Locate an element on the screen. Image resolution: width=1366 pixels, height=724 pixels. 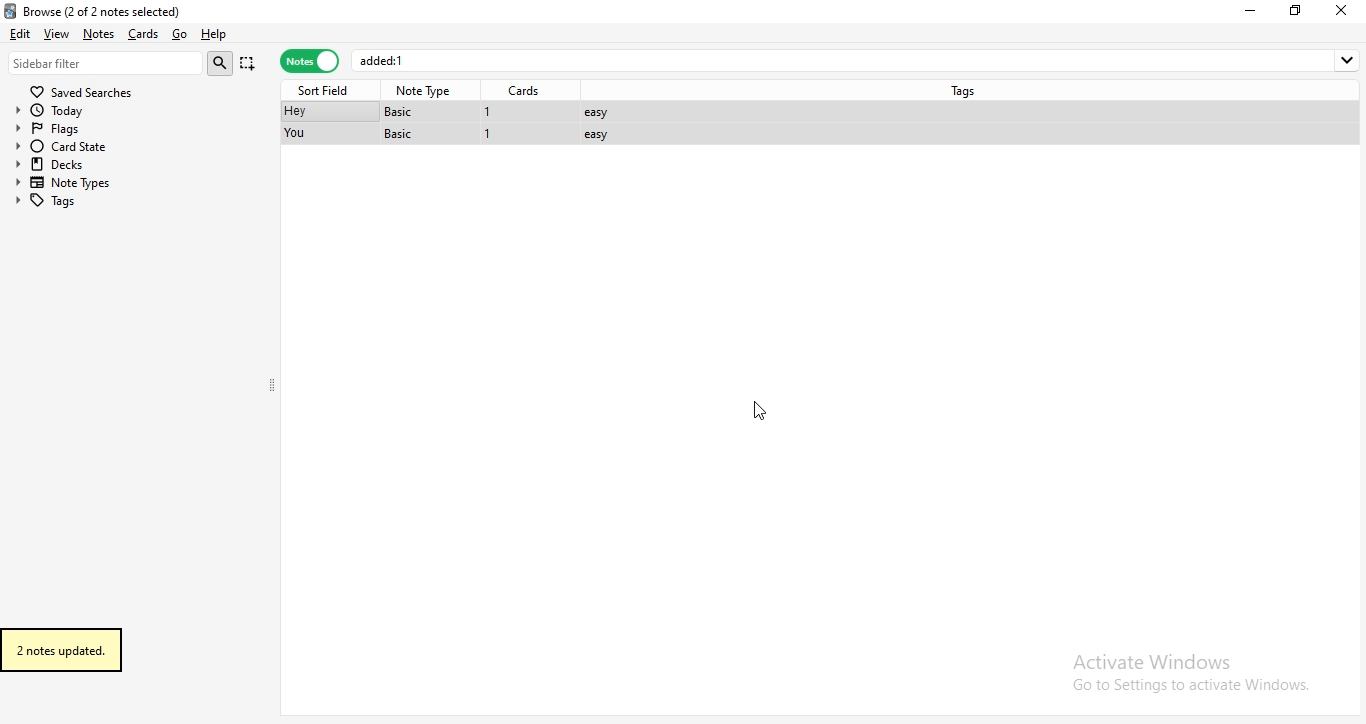
help is located at coordinates (214, 35).